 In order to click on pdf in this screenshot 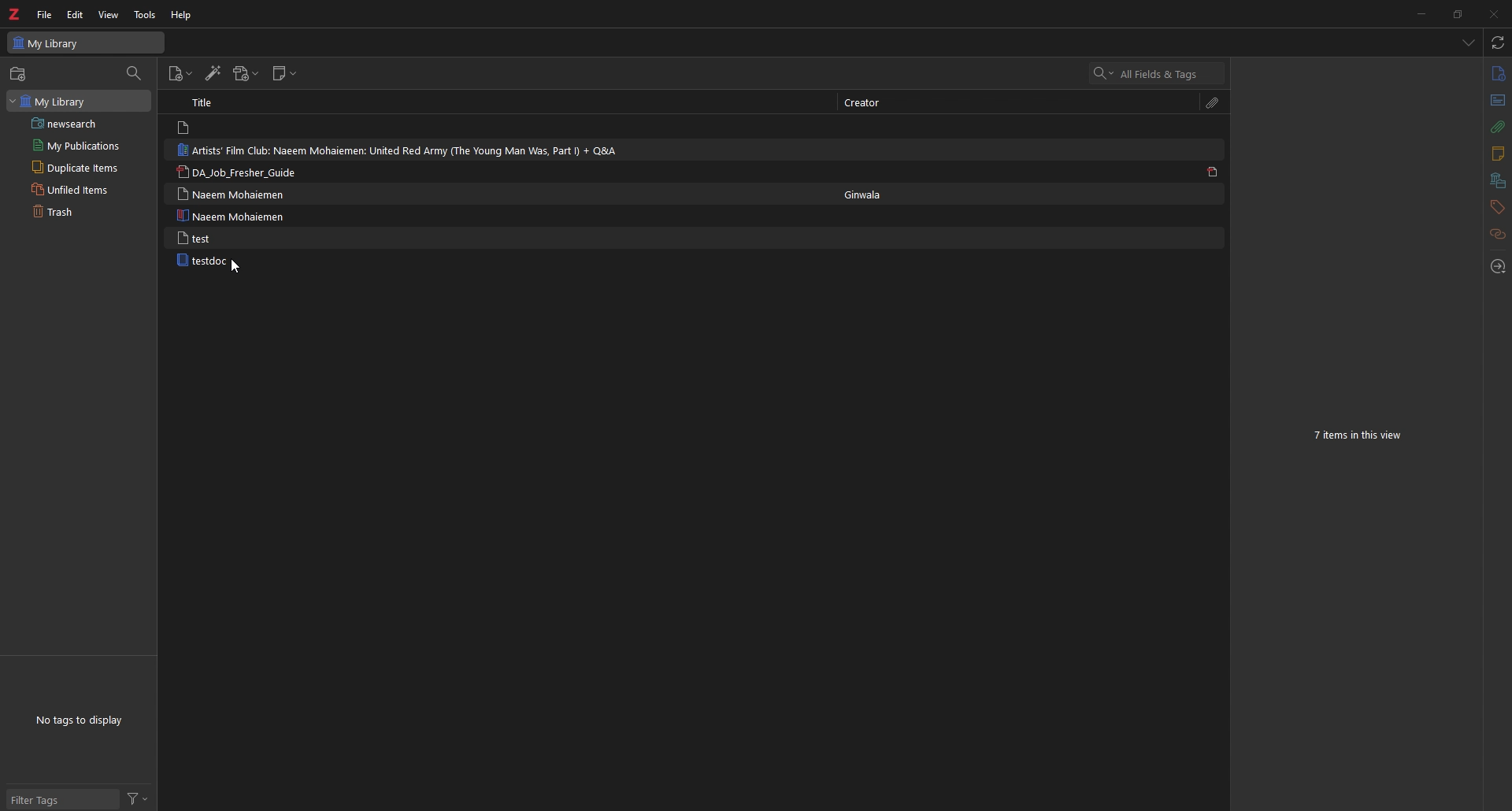, I will do `click(1213, 171)`.